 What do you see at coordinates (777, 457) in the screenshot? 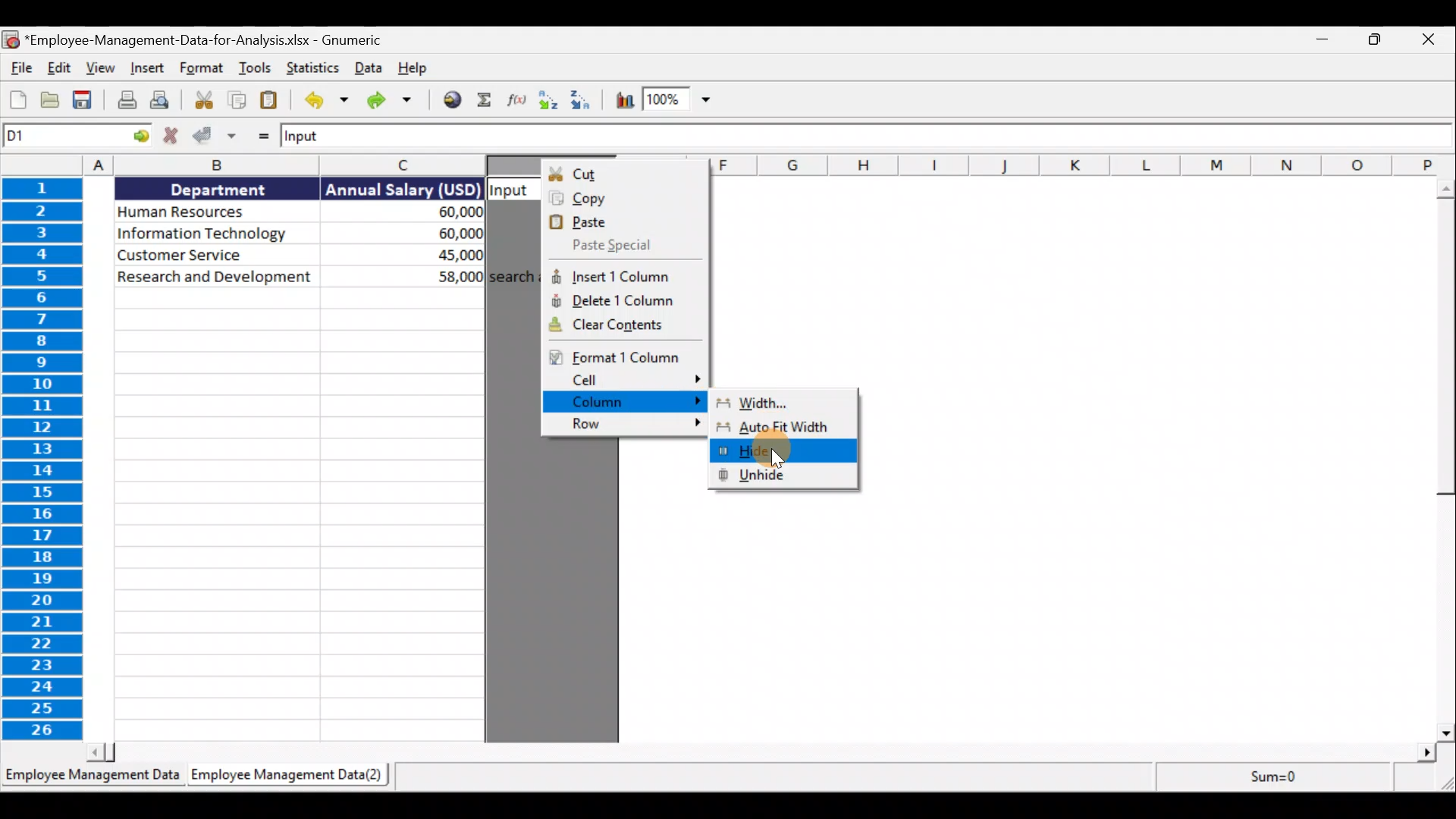
I see `Cursor` at bounding box center [777, 457].